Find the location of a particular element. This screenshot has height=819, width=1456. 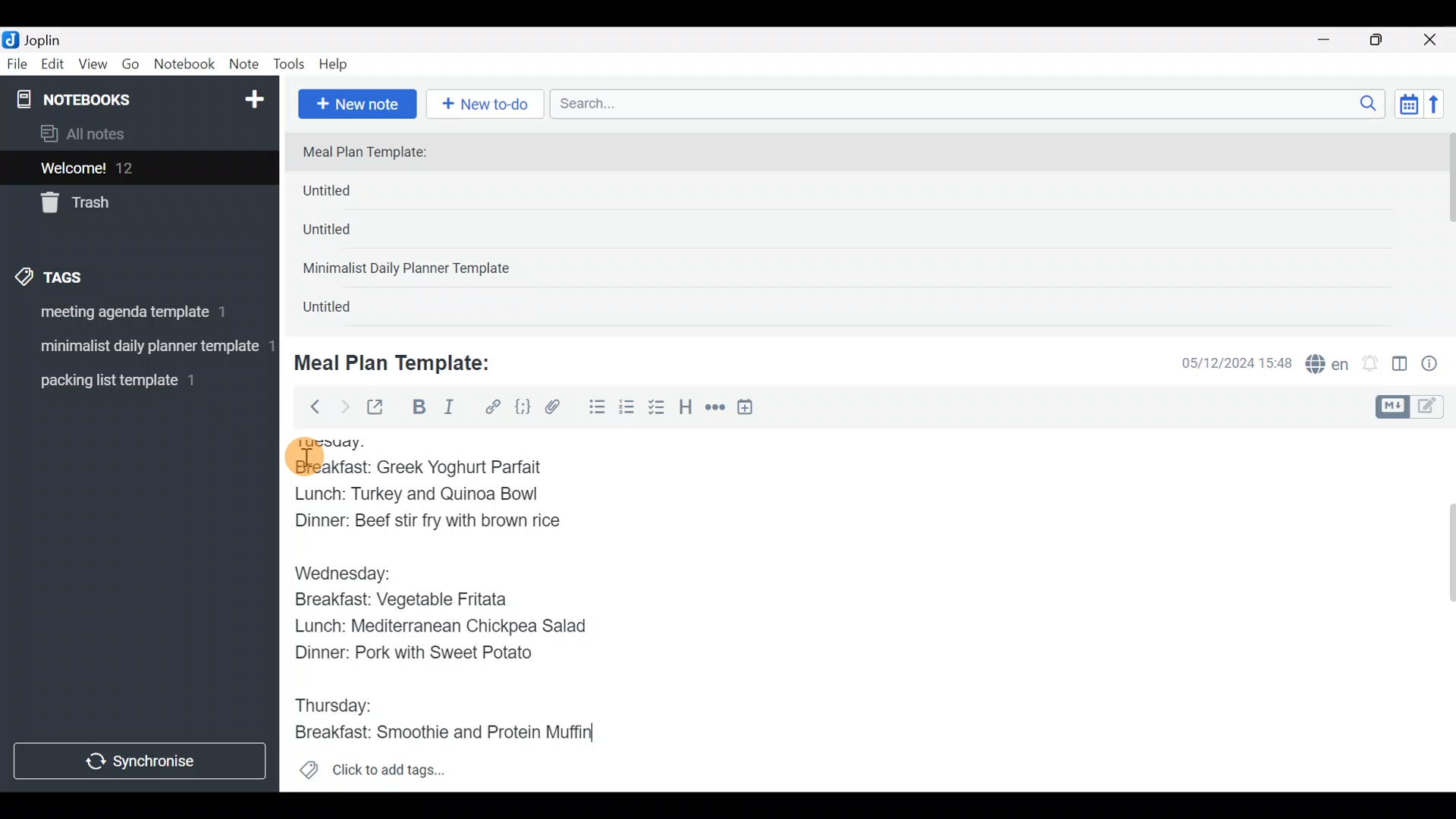

Welcome! is located at coordinates (137, 169).